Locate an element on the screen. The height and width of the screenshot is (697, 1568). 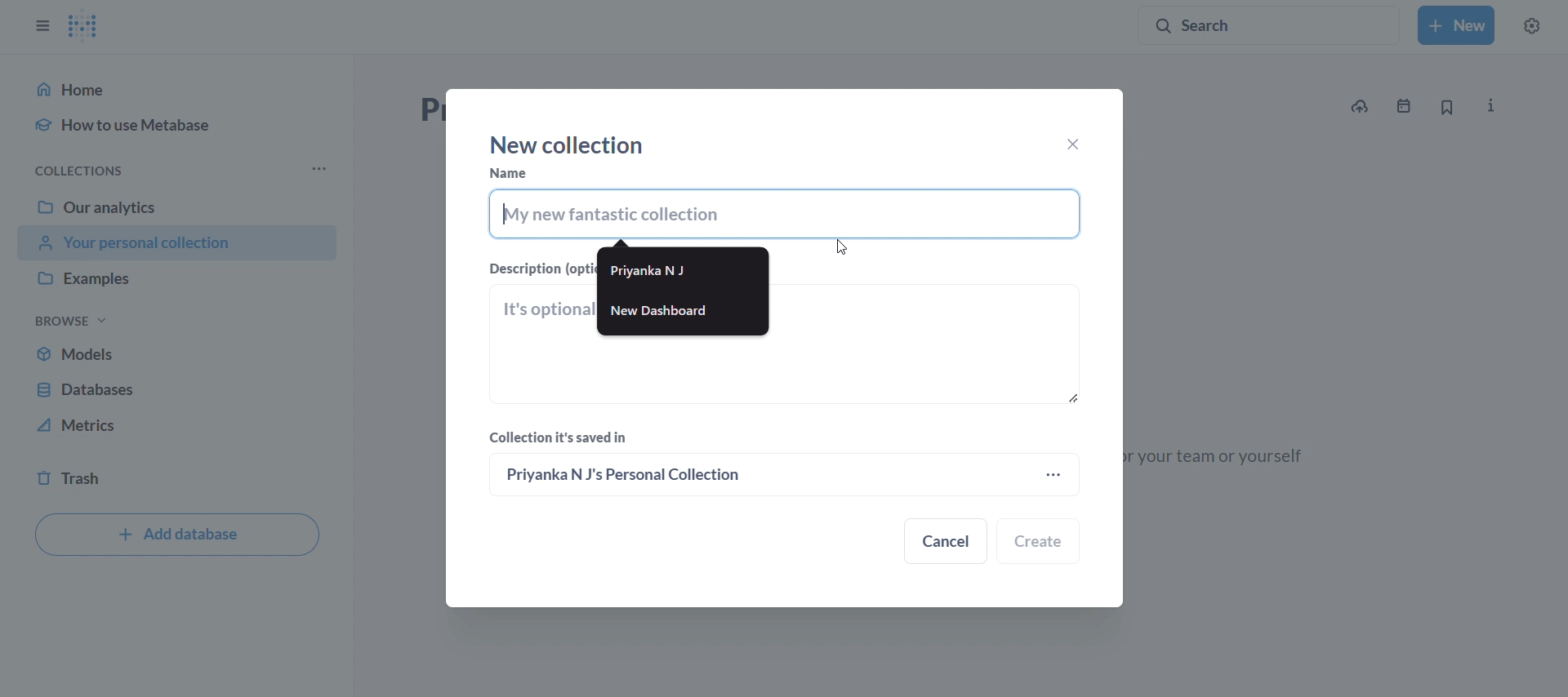
collections is located at coordinates (70, 169).